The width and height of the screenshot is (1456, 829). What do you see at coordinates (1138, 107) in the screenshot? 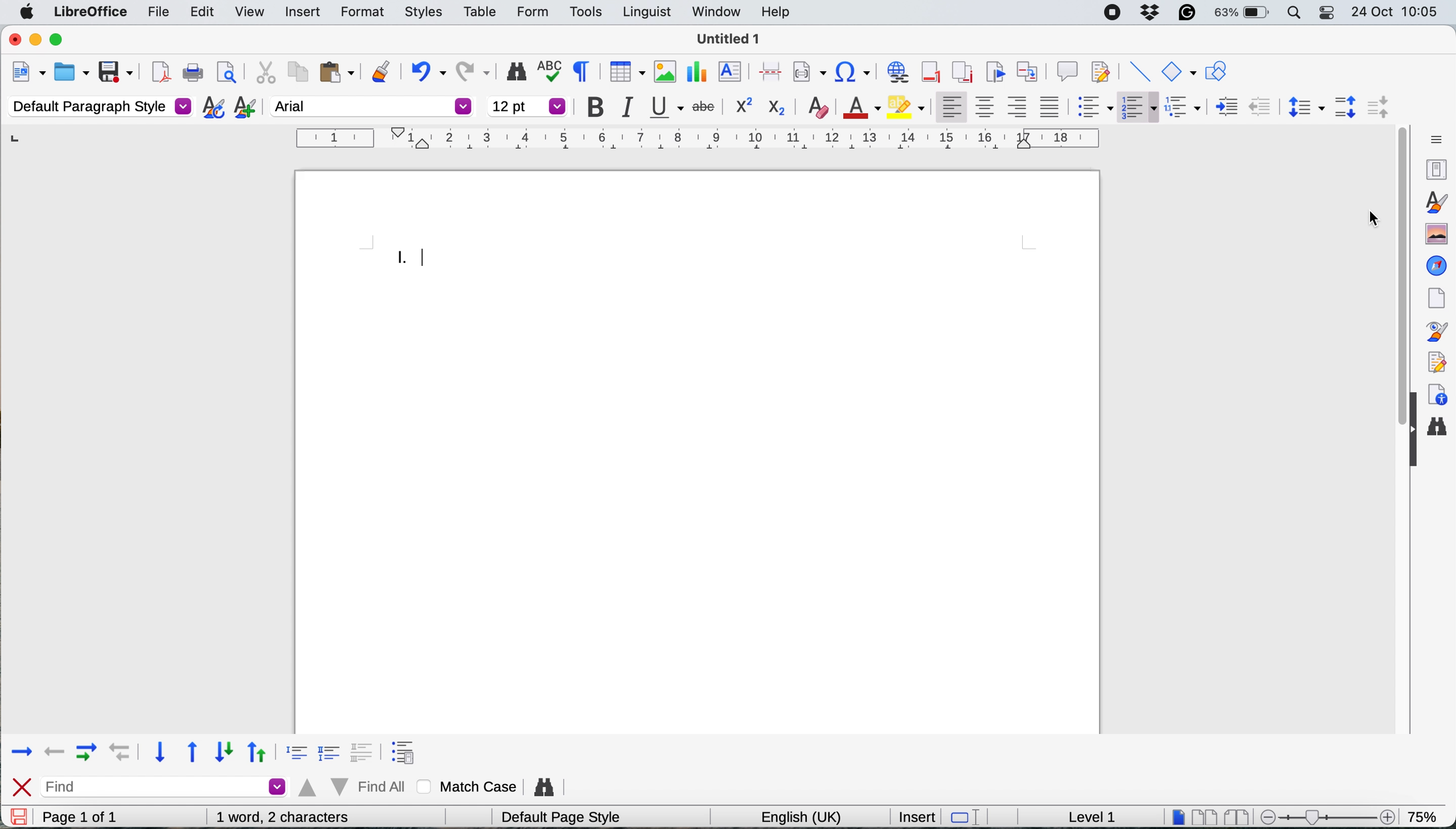
I see `toggle ordered list` at bounding box center [1138, 107].